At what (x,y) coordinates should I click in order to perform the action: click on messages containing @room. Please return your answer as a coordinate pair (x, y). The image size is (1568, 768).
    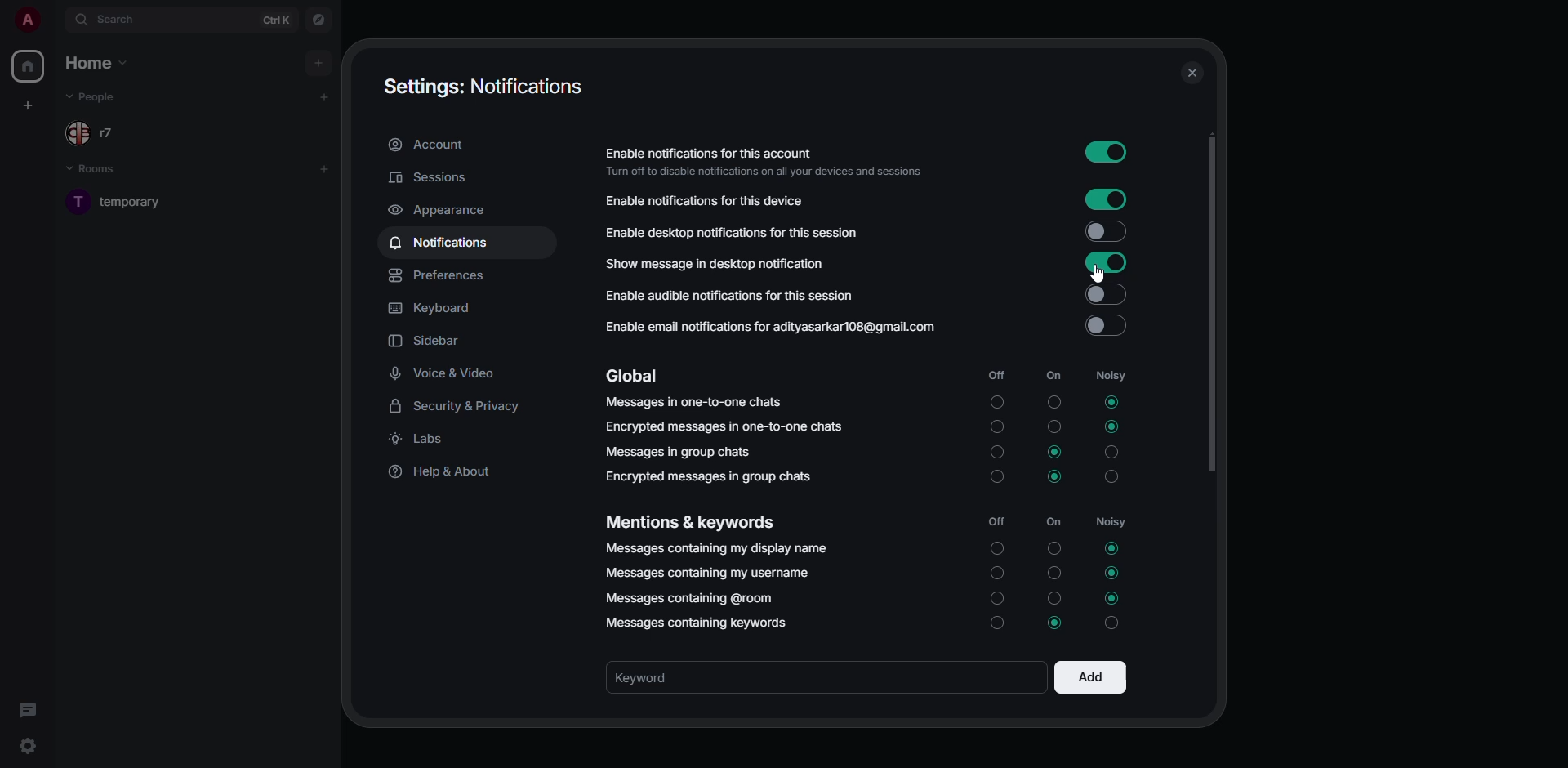
    Looking at the image, I should click on (696, 598).